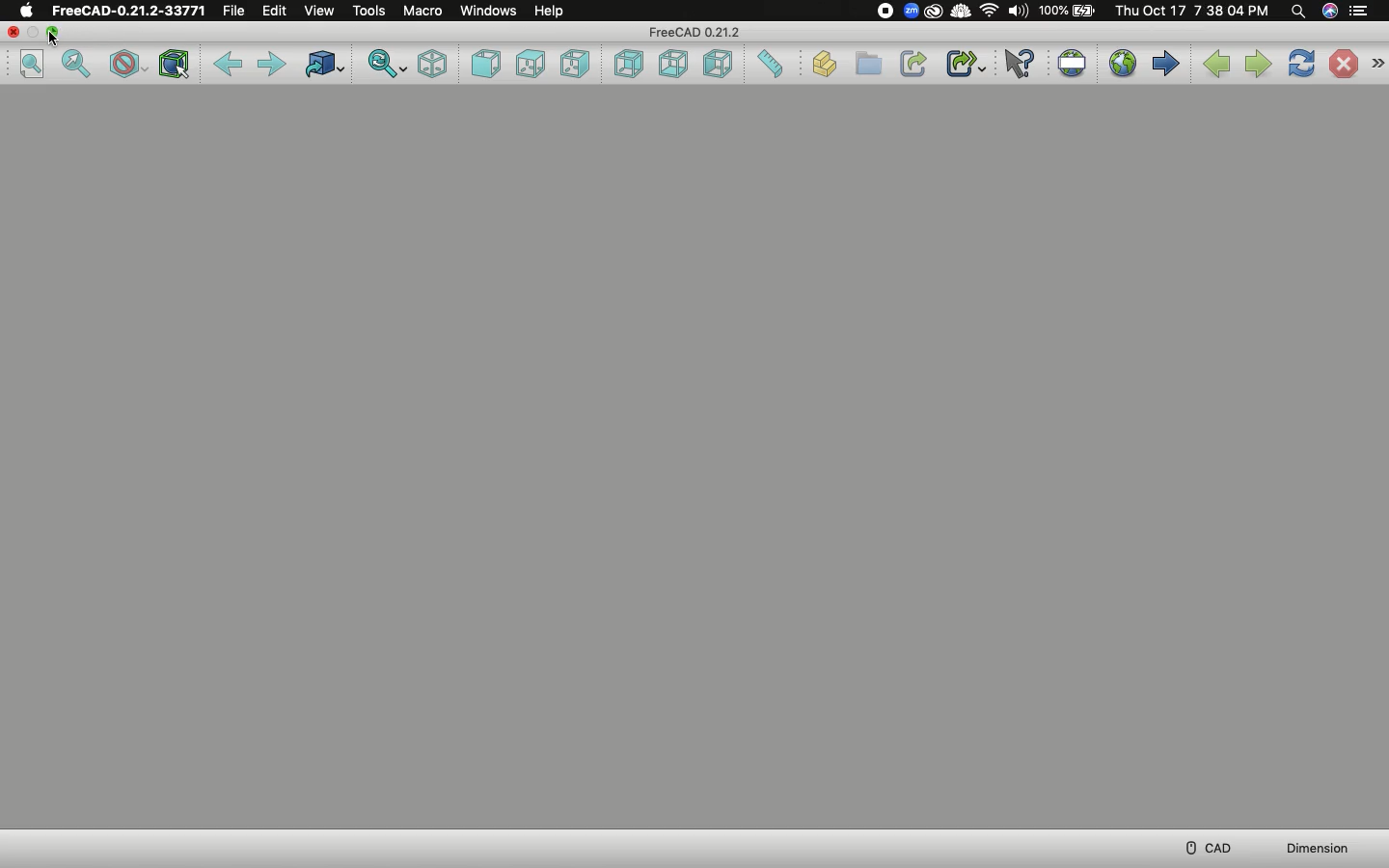  I want to click on Fit selection, so click(81, 67).